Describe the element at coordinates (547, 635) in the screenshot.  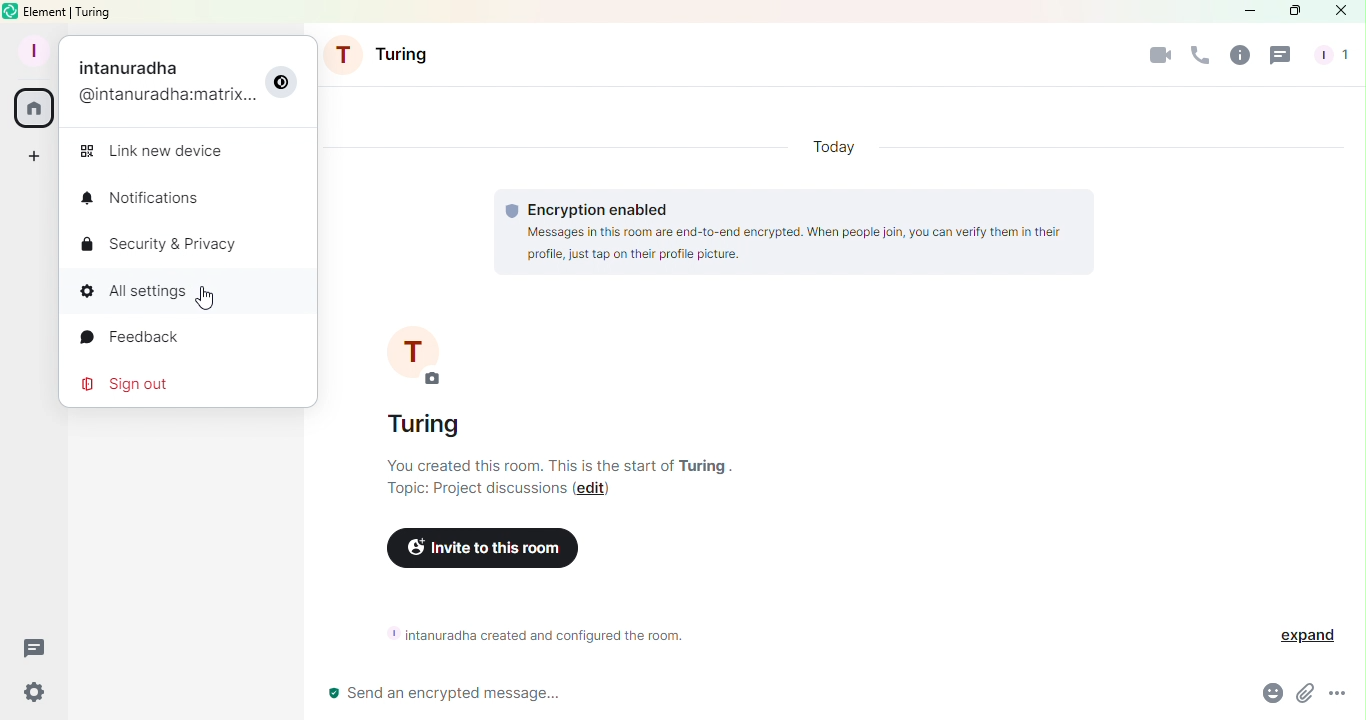
I see `Room information` at that location.